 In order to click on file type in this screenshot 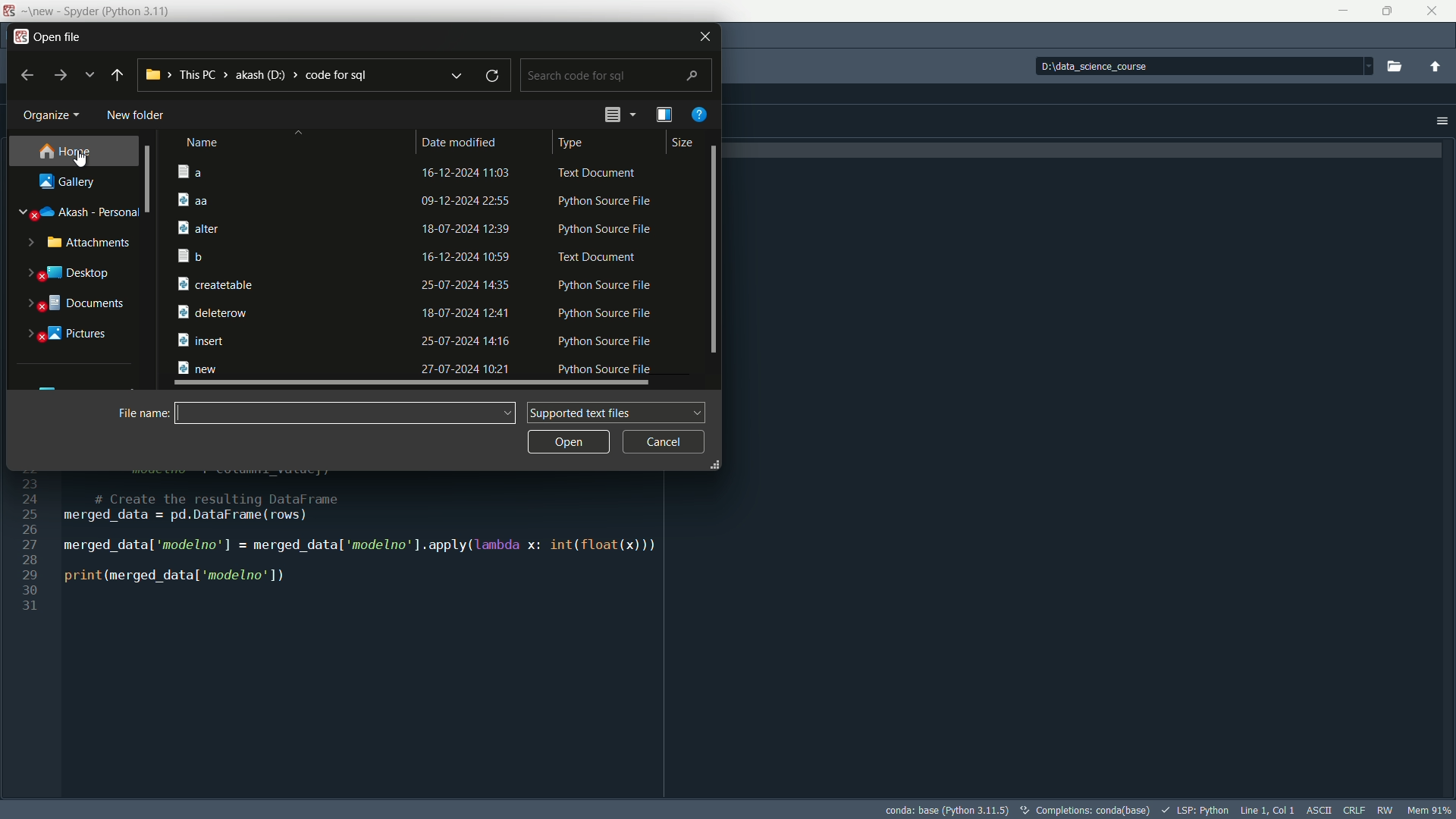, I will do `click(601, 312)`.